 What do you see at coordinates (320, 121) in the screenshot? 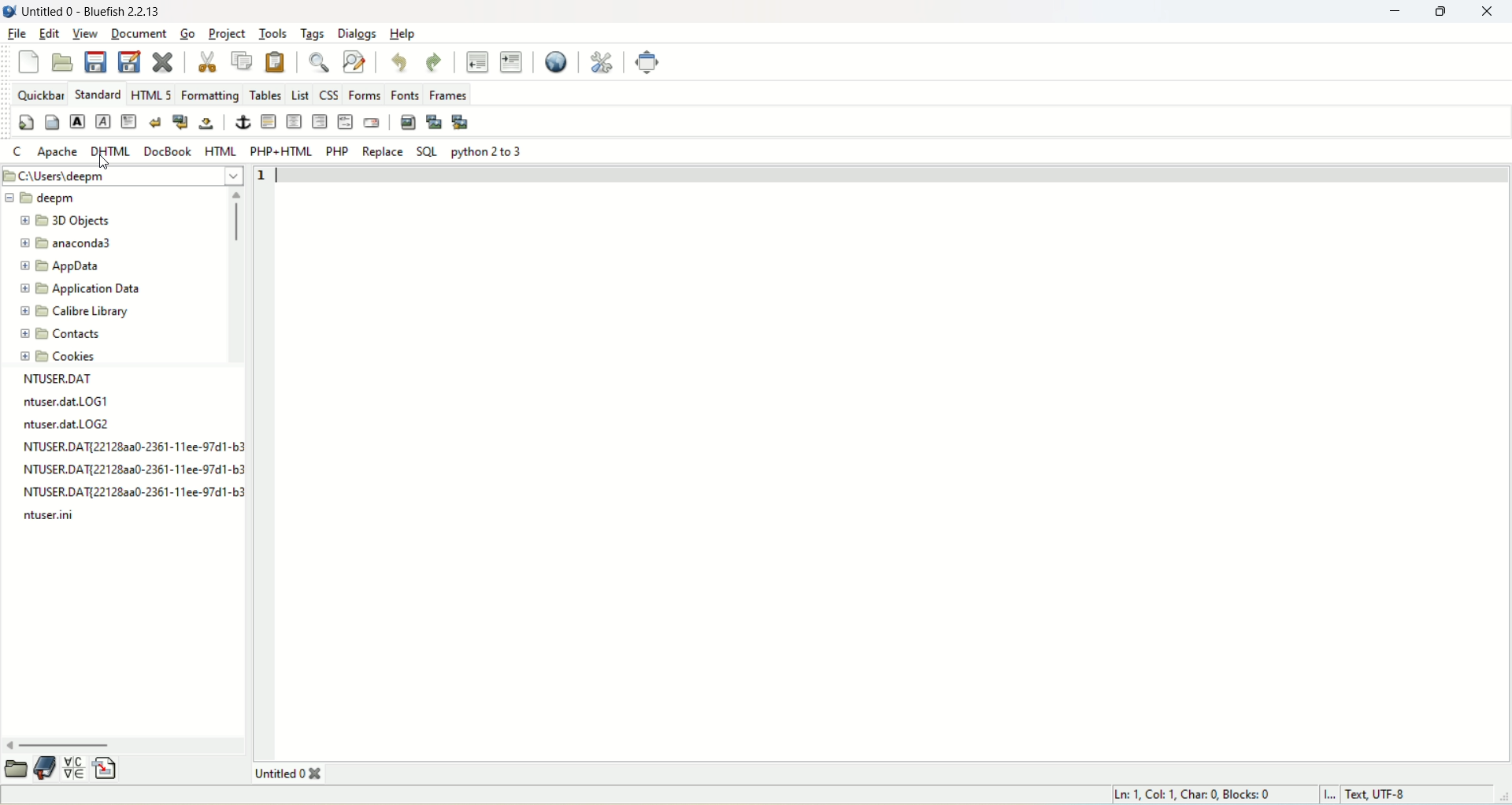
I see `right justify` at bounding box center [320, 121].